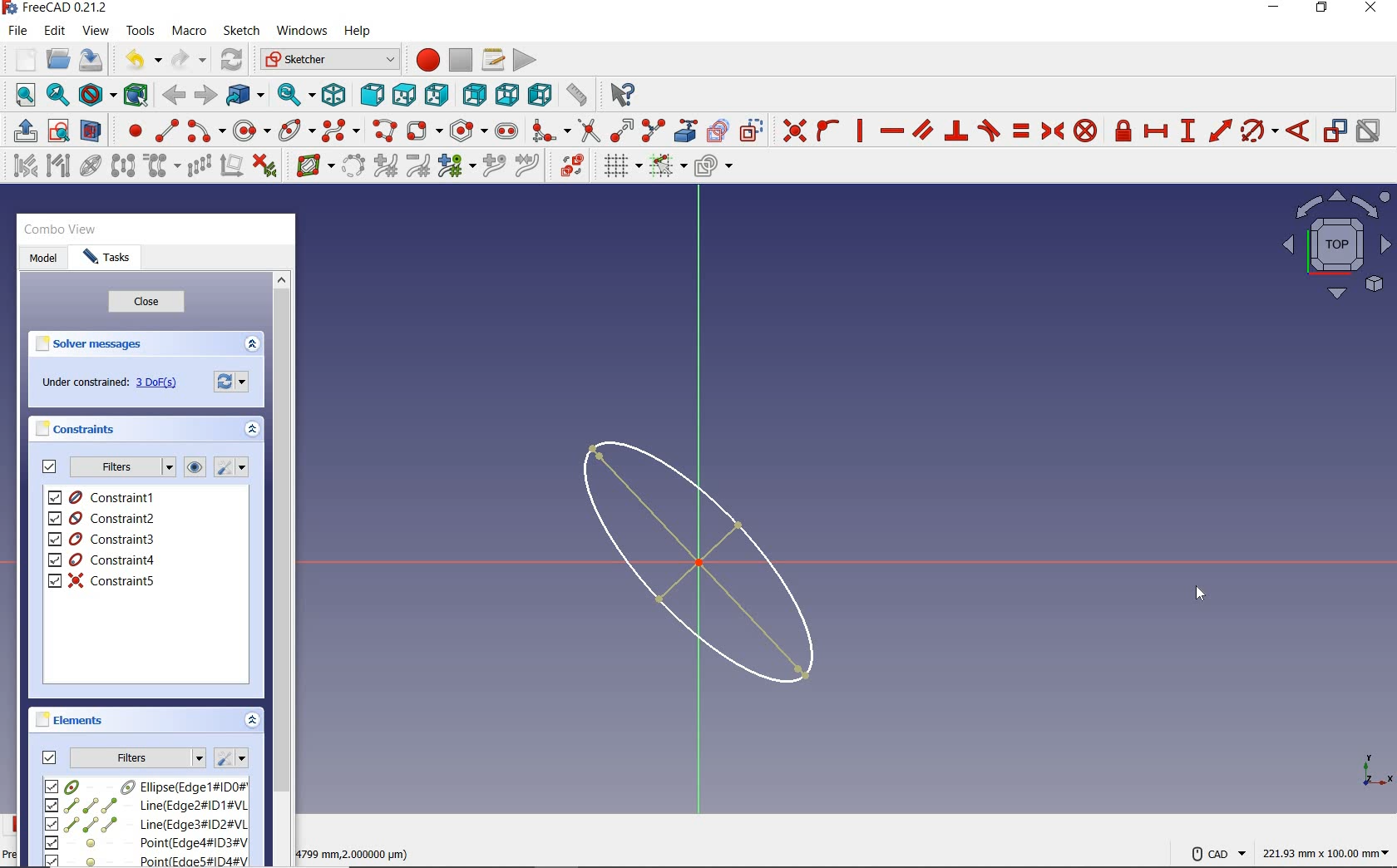 The height and width of the screenshot is (868, 1397). I want to click on element5, so click(147, 860).